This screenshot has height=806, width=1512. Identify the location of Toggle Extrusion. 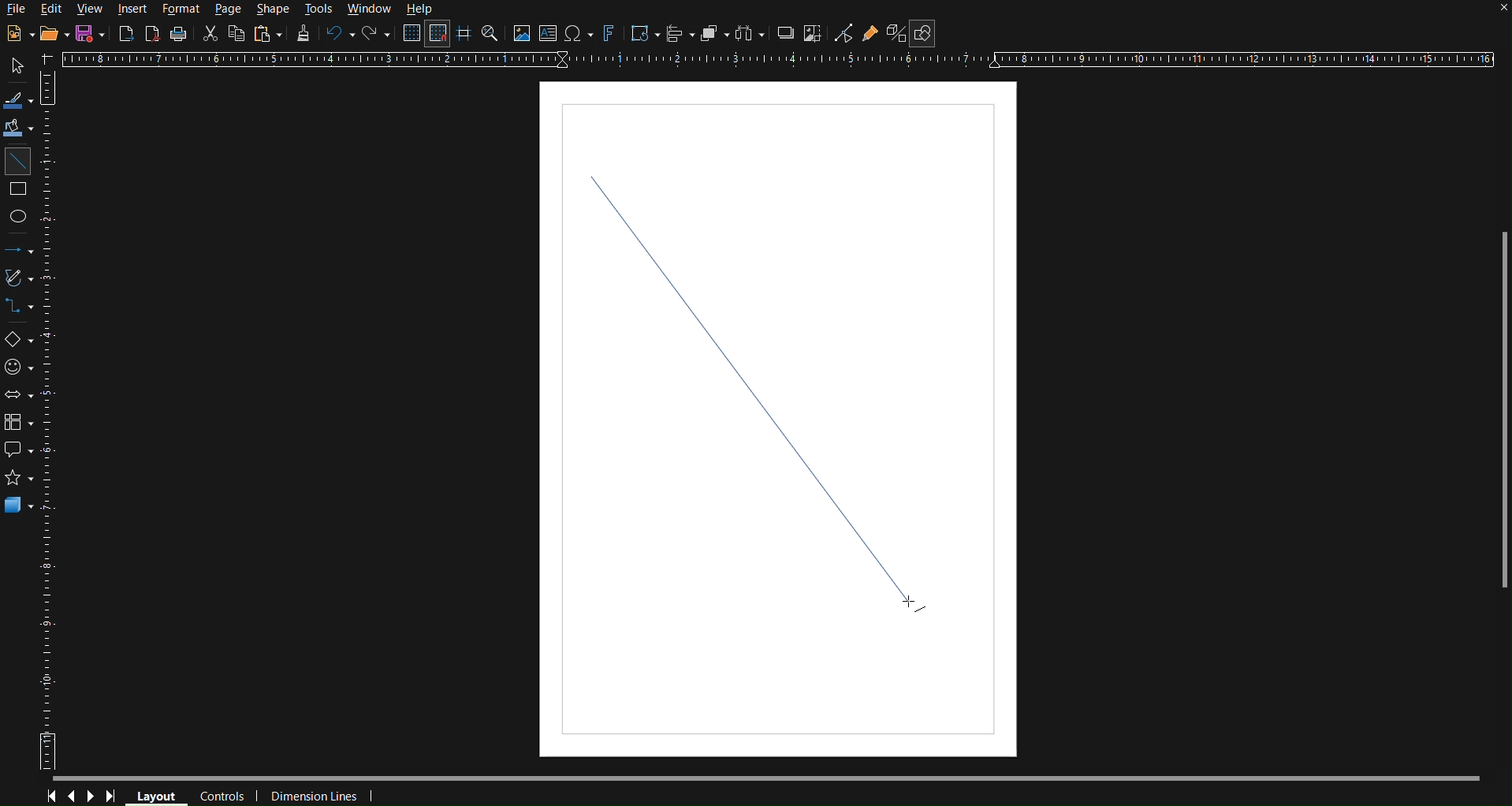
(896, 33).